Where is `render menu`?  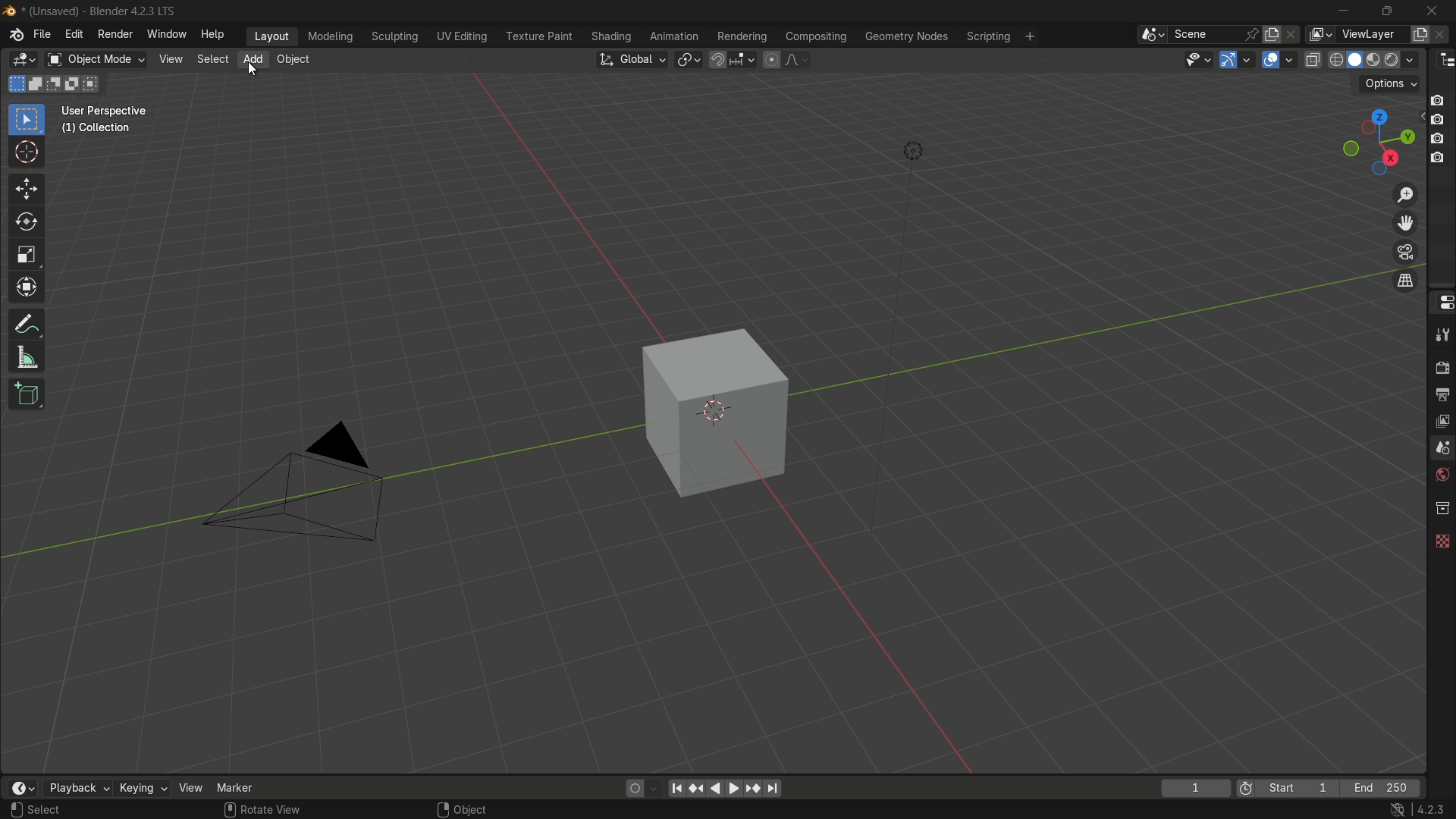
render menu is located at coordinates (114, 36).